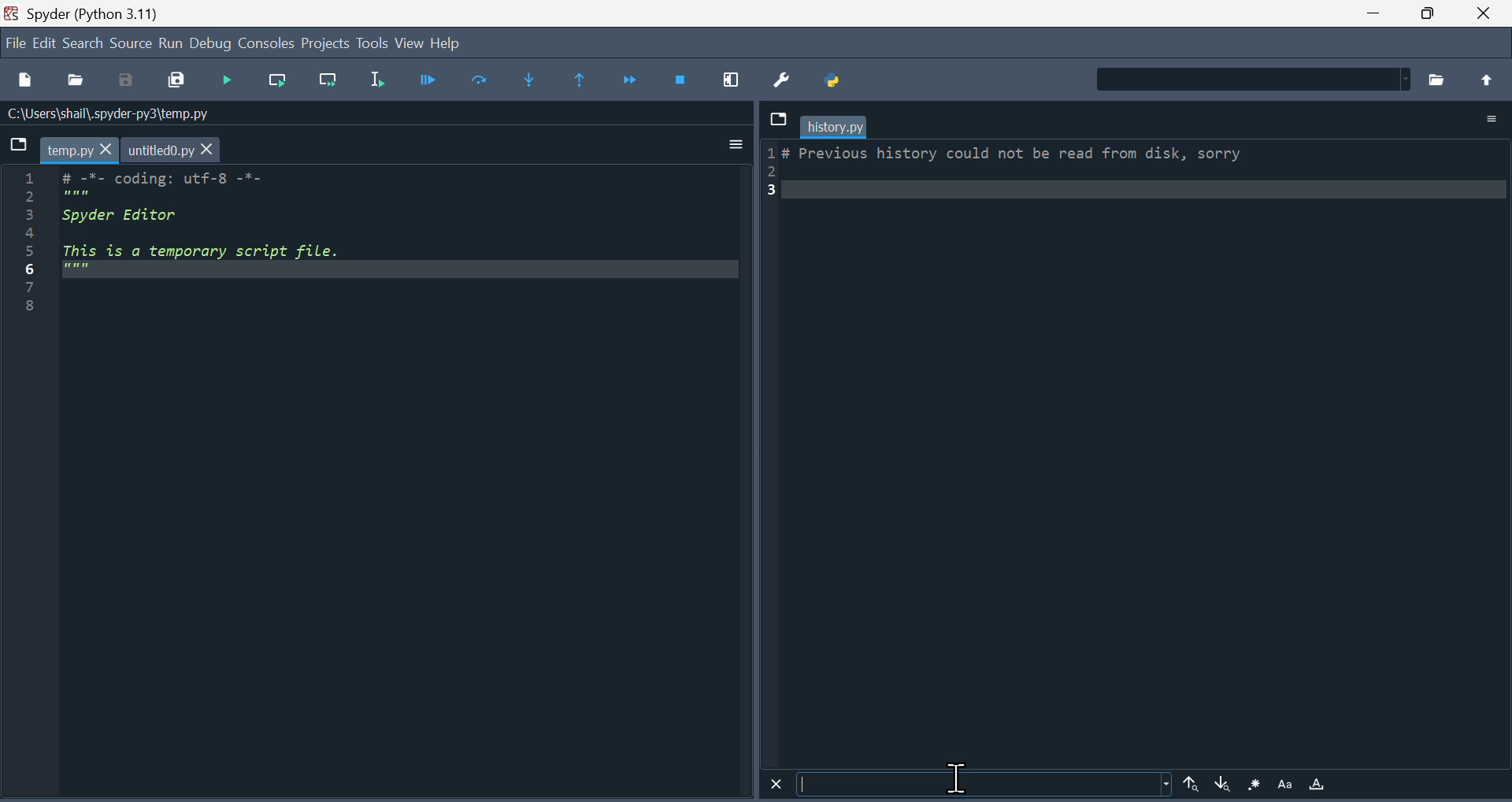  What do you see at coordinates (403, 223) in the screenshot?
I see `code` at bounding box center [403, 223].